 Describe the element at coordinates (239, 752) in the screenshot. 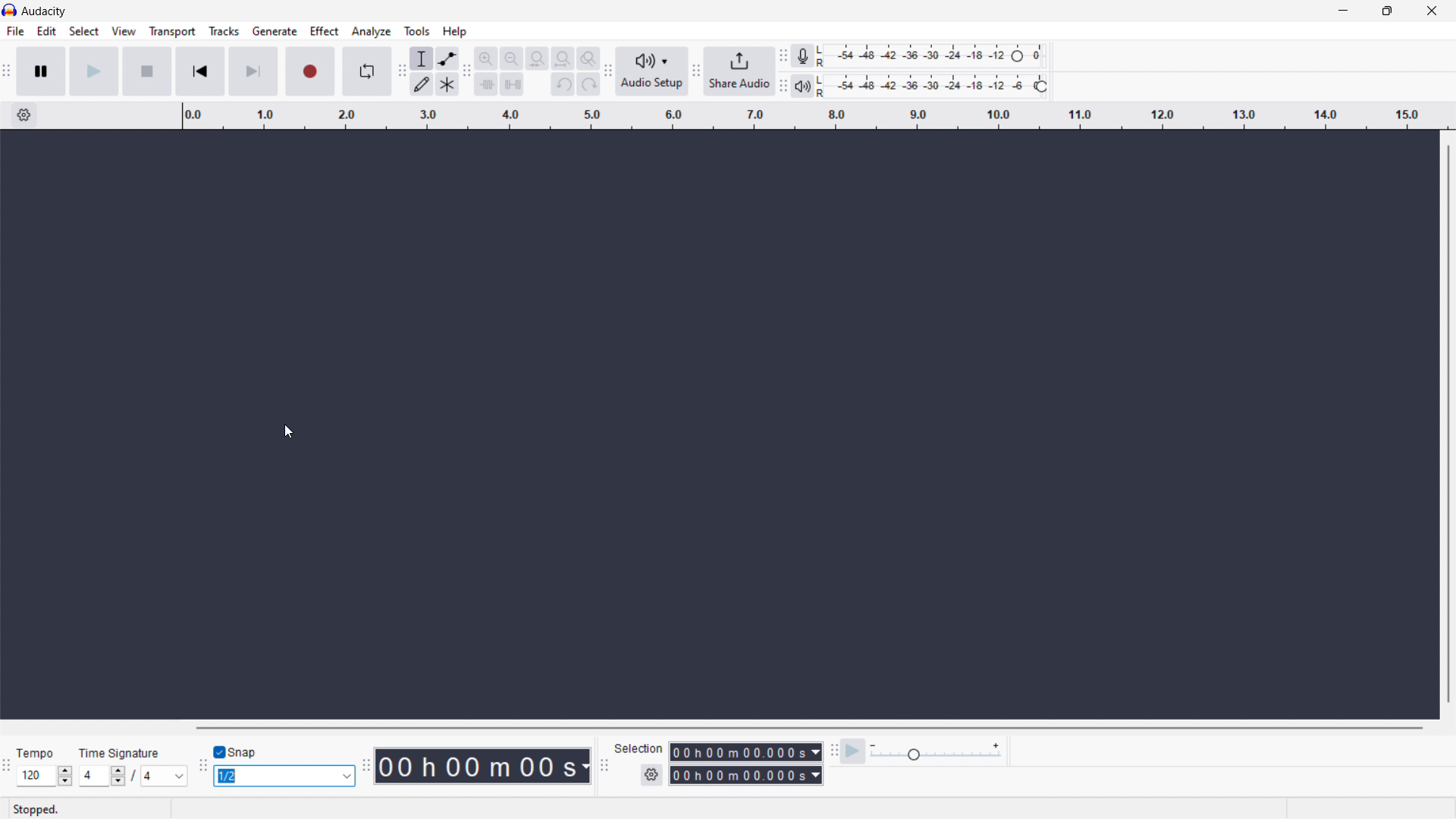

I see `toggle snap` at that location.